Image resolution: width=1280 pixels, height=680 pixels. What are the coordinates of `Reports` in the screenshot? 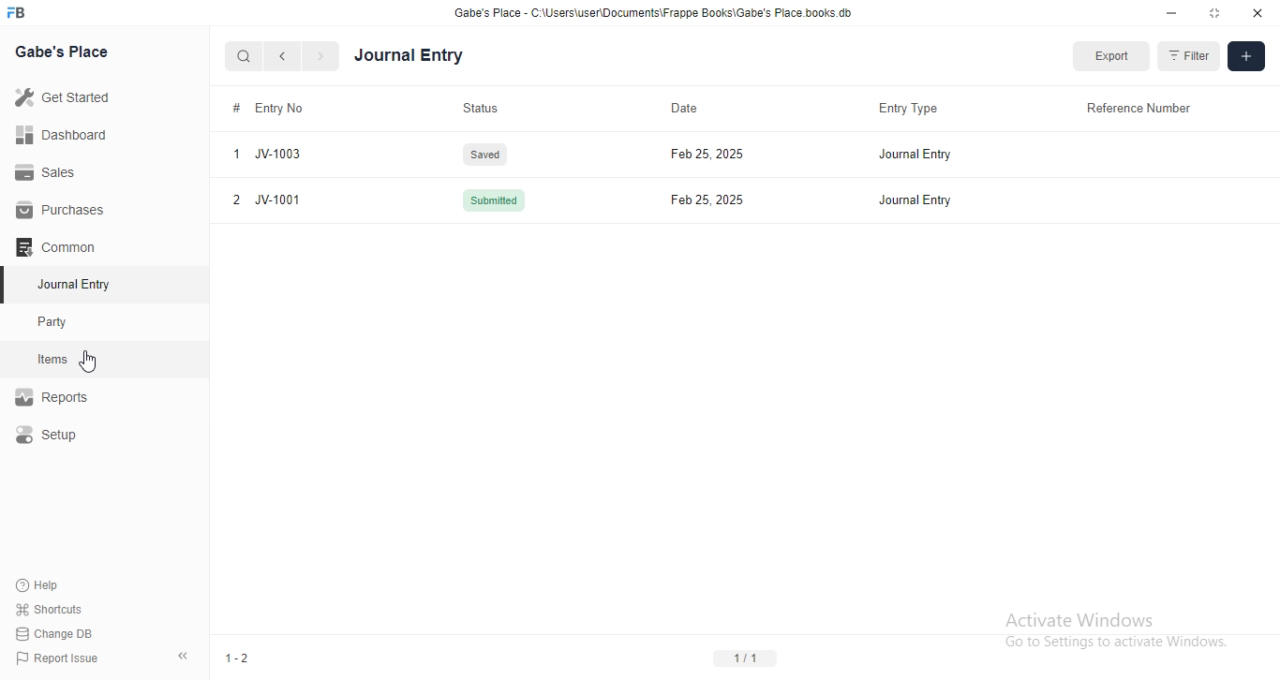 It's located at (61, 396).